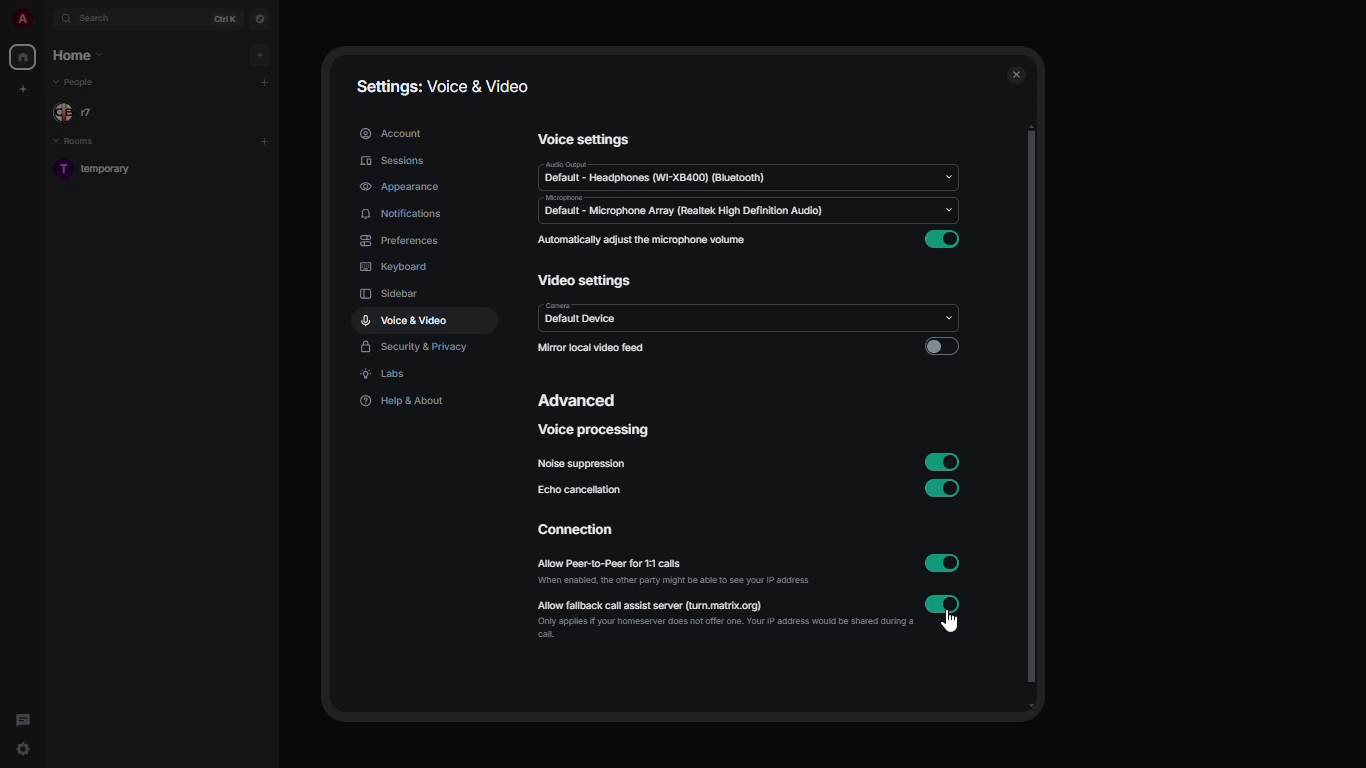  Describe the element at coordinates (581, 493) in the screenshot. I see `echo cancellation` at that location.